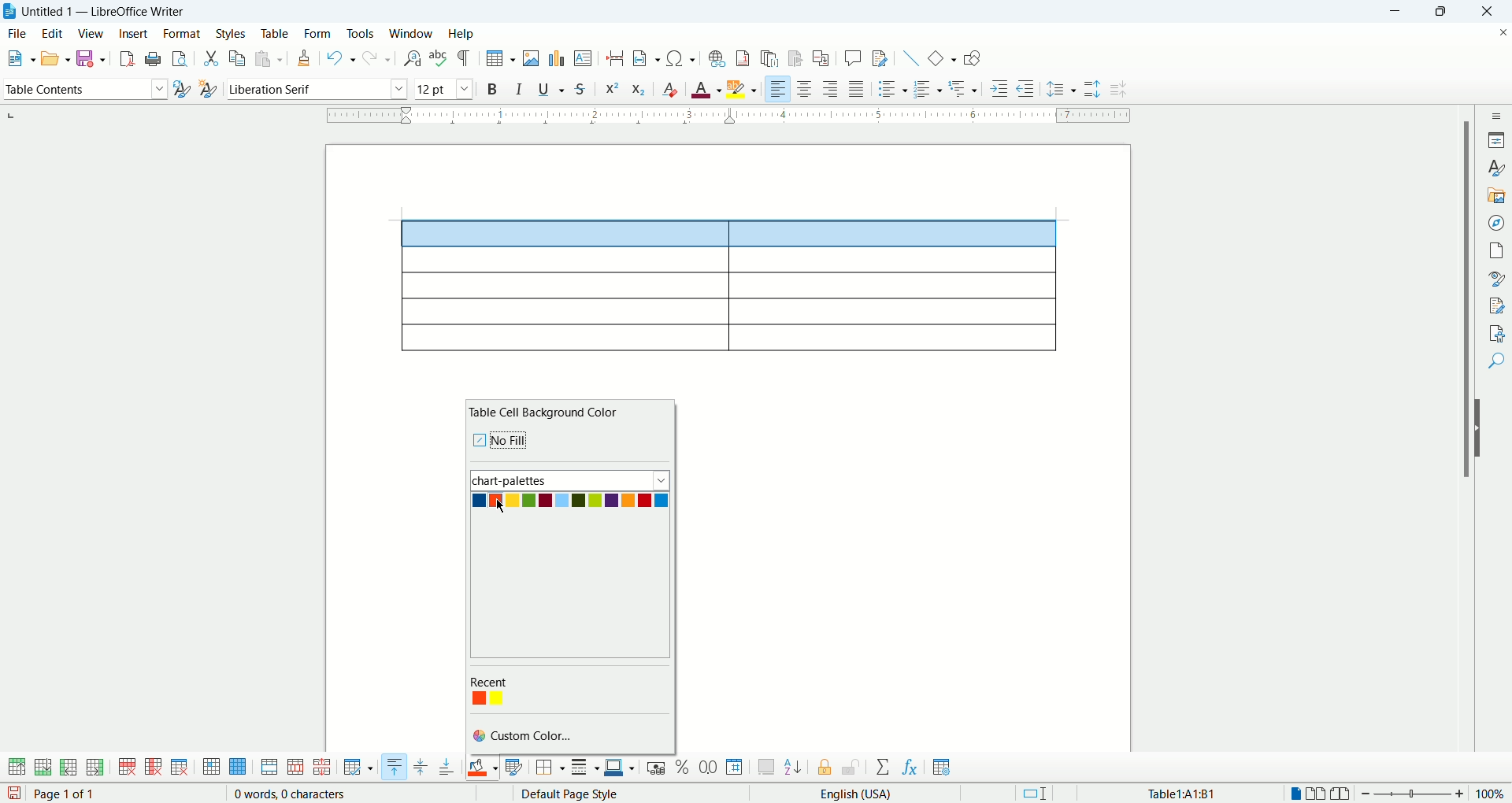 Image resolution: width=1512 pixels, height=803 pixels. I want to click on table properties, so click(942, 768).